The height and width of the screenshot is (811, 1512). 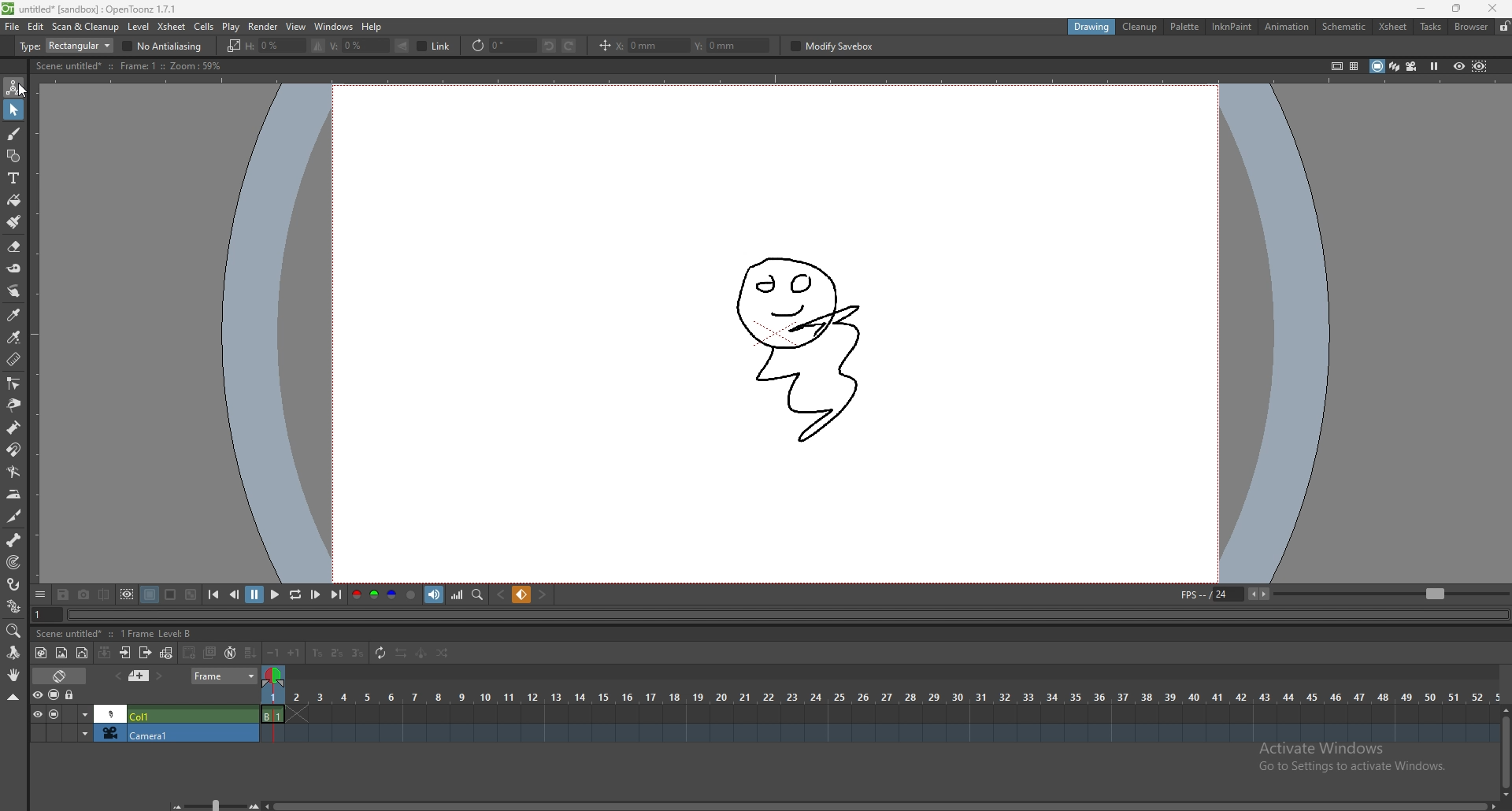 What do you see at coordinates (13, 471) in the screenshot?
I see `bender` at bounding box center [13, 471].